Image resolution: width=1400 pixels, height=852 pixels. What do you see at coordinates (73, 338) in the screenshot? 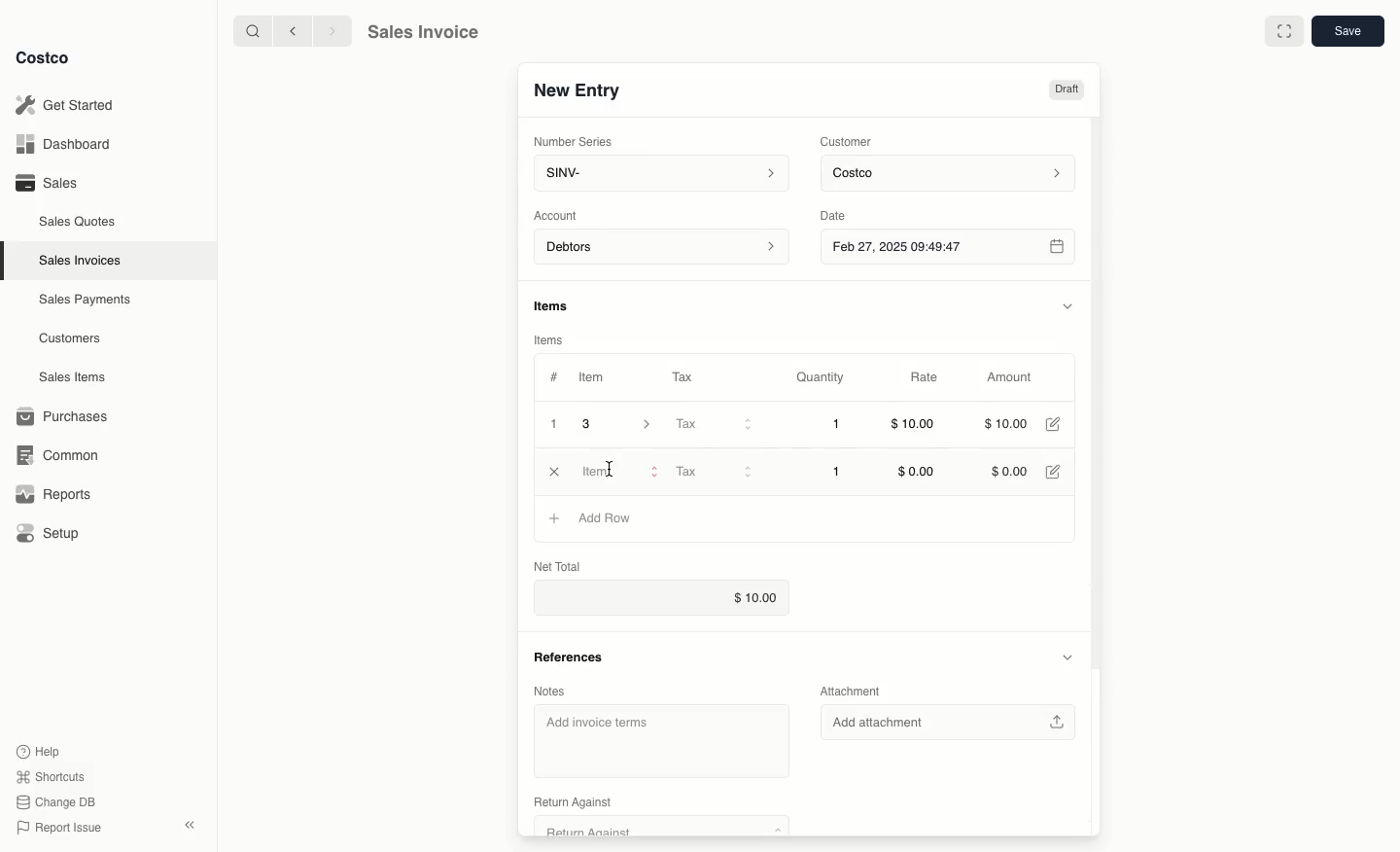
I see `Customers` at bounding box center [73, 338].